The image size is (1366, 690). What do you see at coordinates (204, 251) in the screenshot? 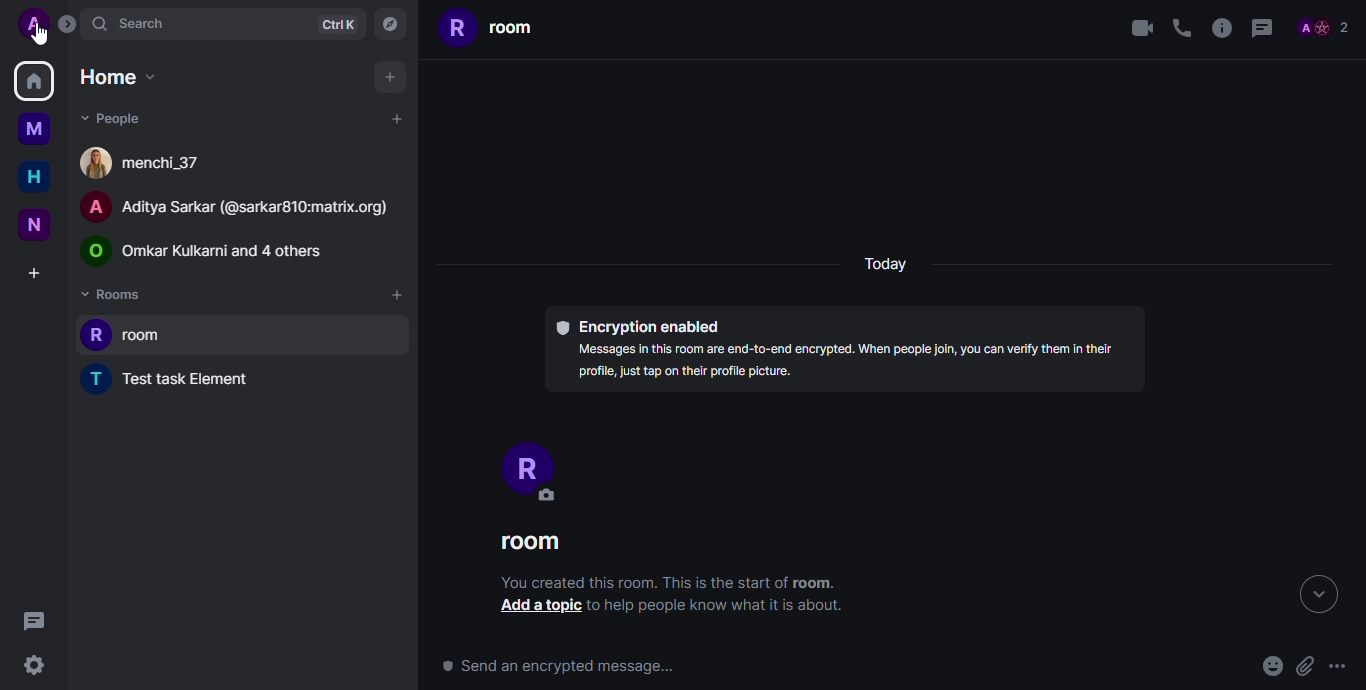
I see `people` at bounding box center [204, 251].